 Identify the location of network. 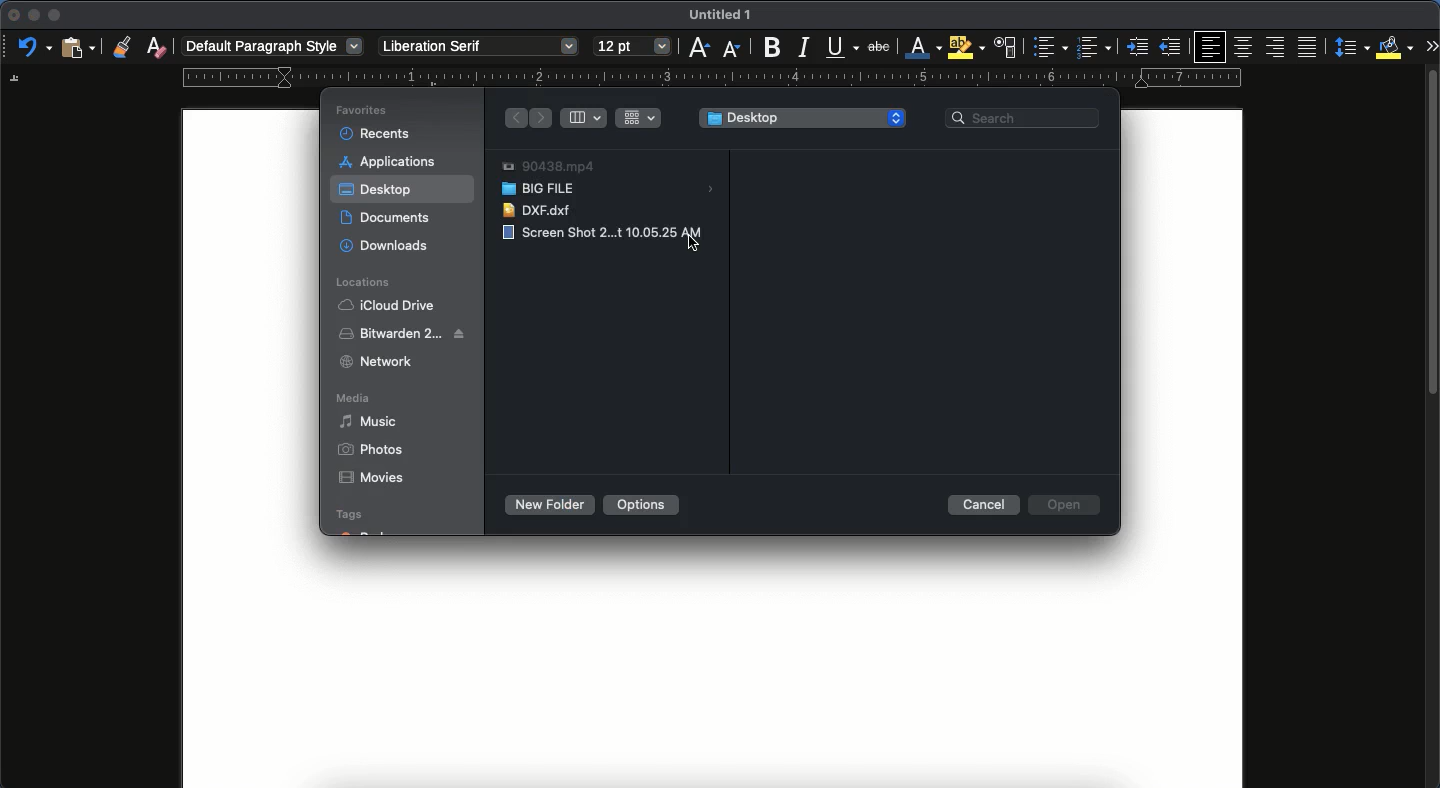
(376, 361).